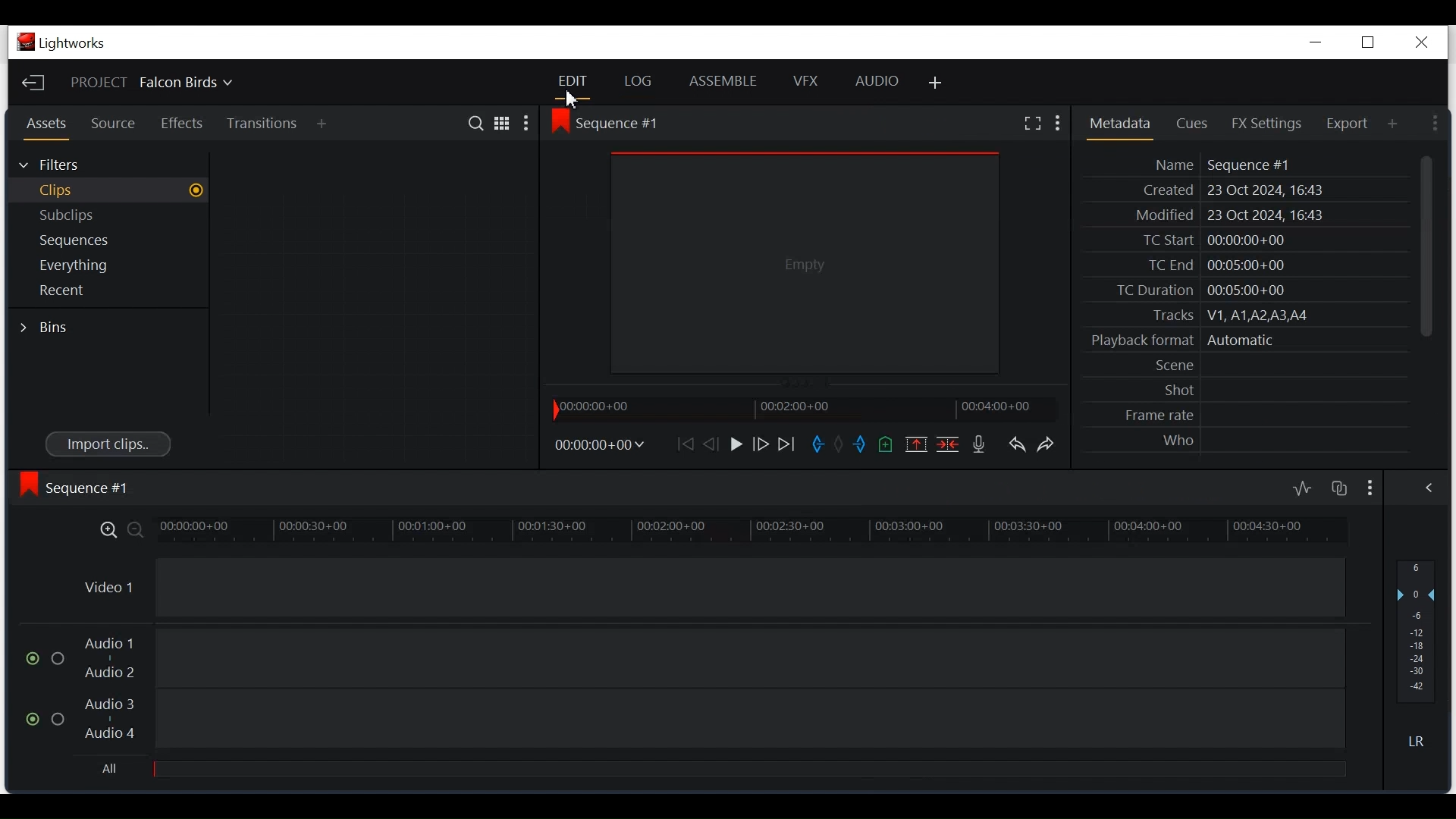 The height and width of the screenshot is (819, 1456). What do you see at coordinates (105, 216) in the screenshot?
I see `Subclips` at bounding box center [105, 216].